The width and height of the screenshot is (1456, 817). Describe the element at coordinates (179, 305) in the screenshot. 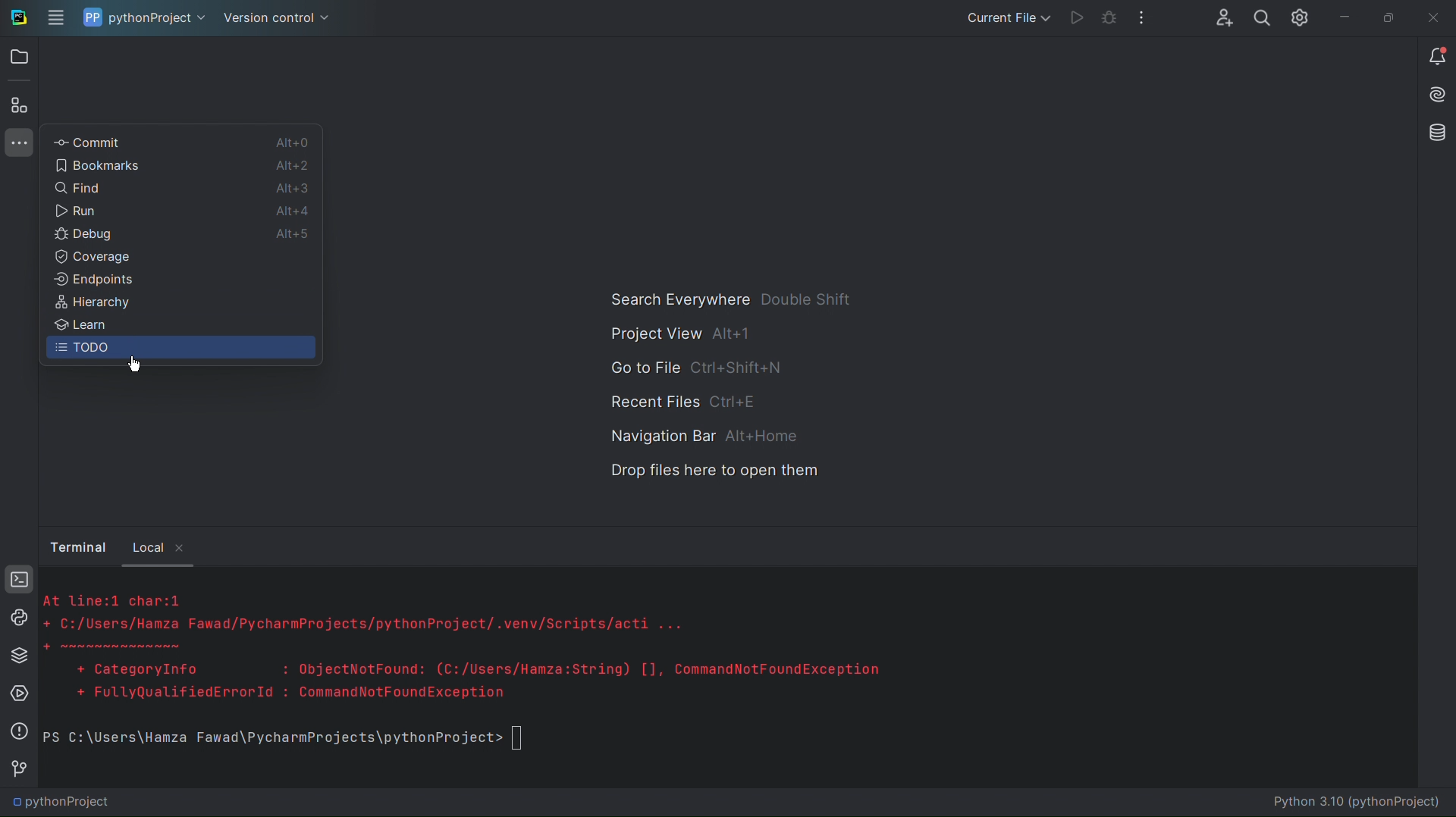

I see `Heirarchy` at that location.